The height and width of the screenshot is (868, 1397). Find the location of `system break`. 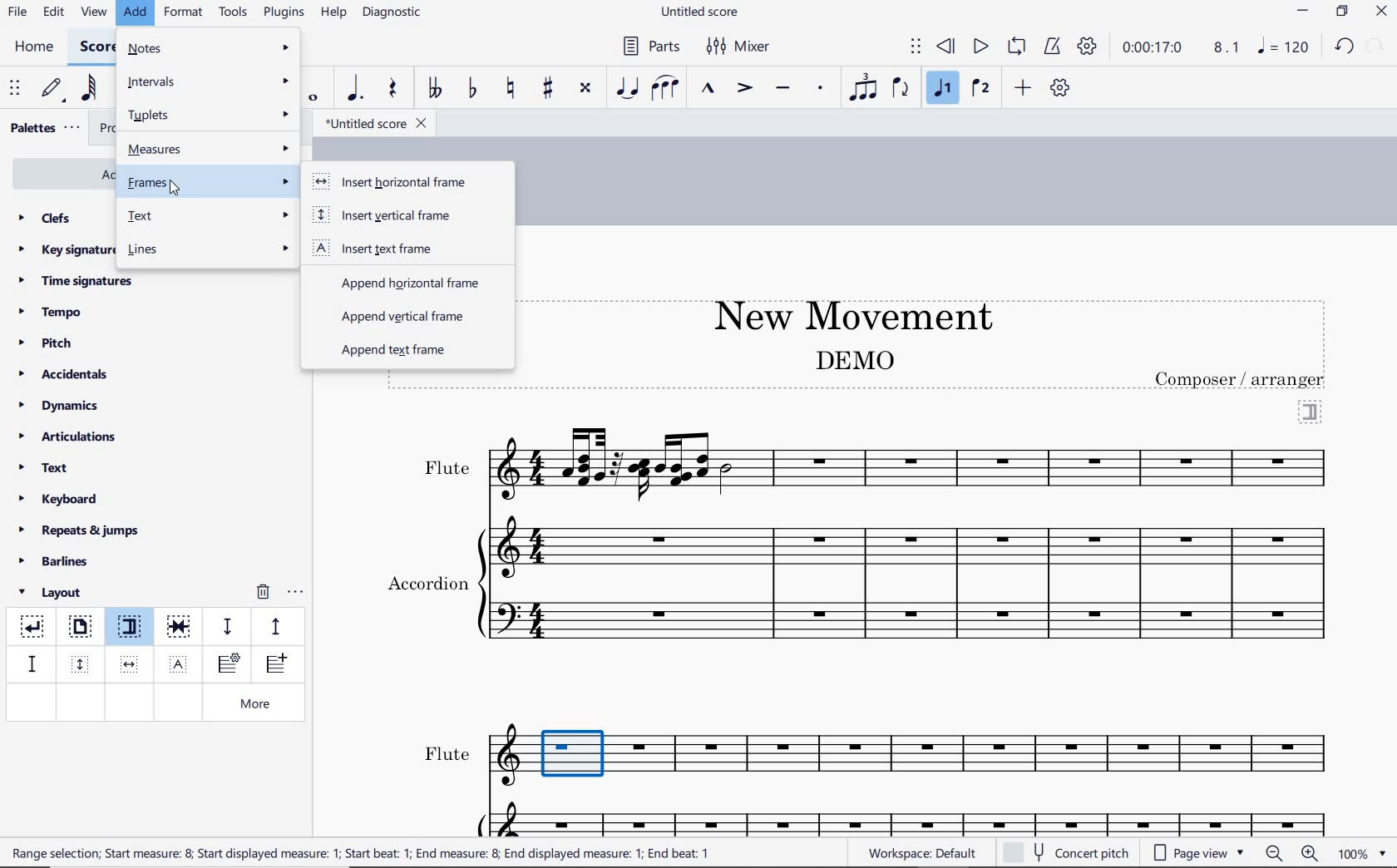

system break is located at coordinates (33, 624).